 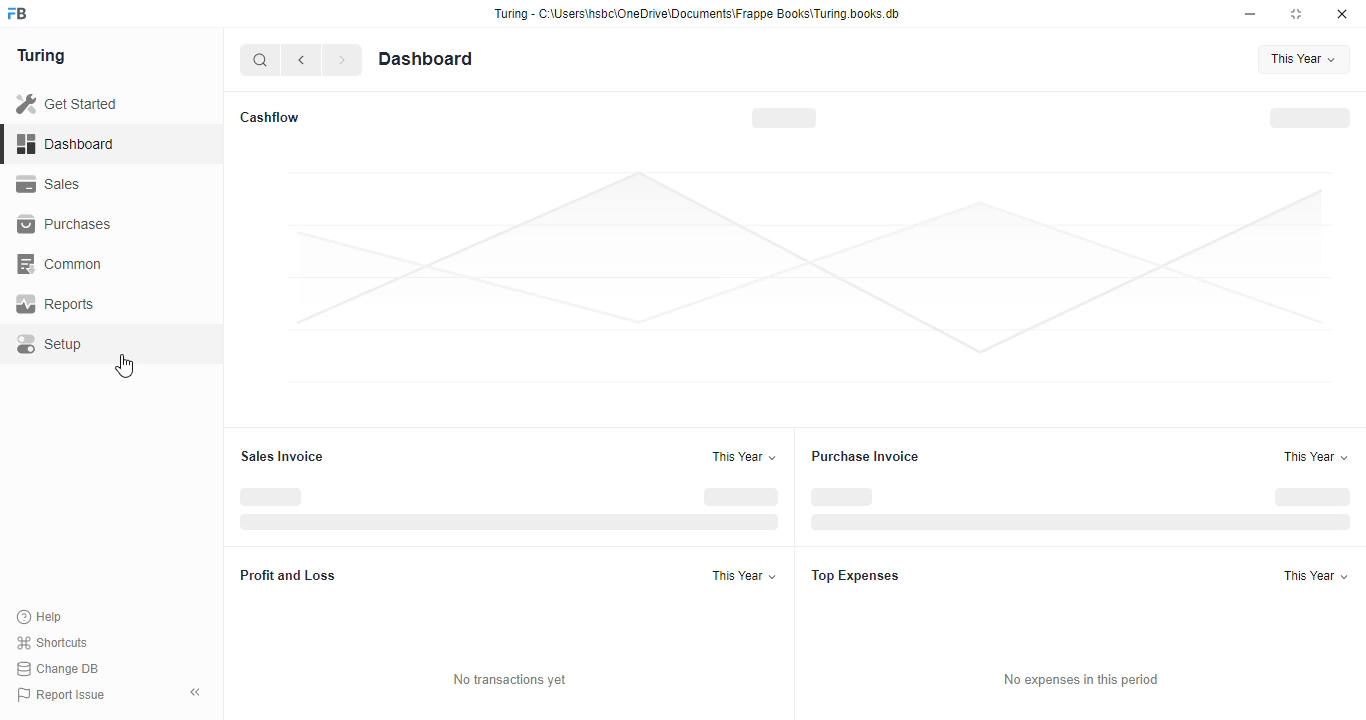 What do you see at coordinates (512, 679) in the screenshot?
I see `no transactions yet` at bounding box center [512, 679].